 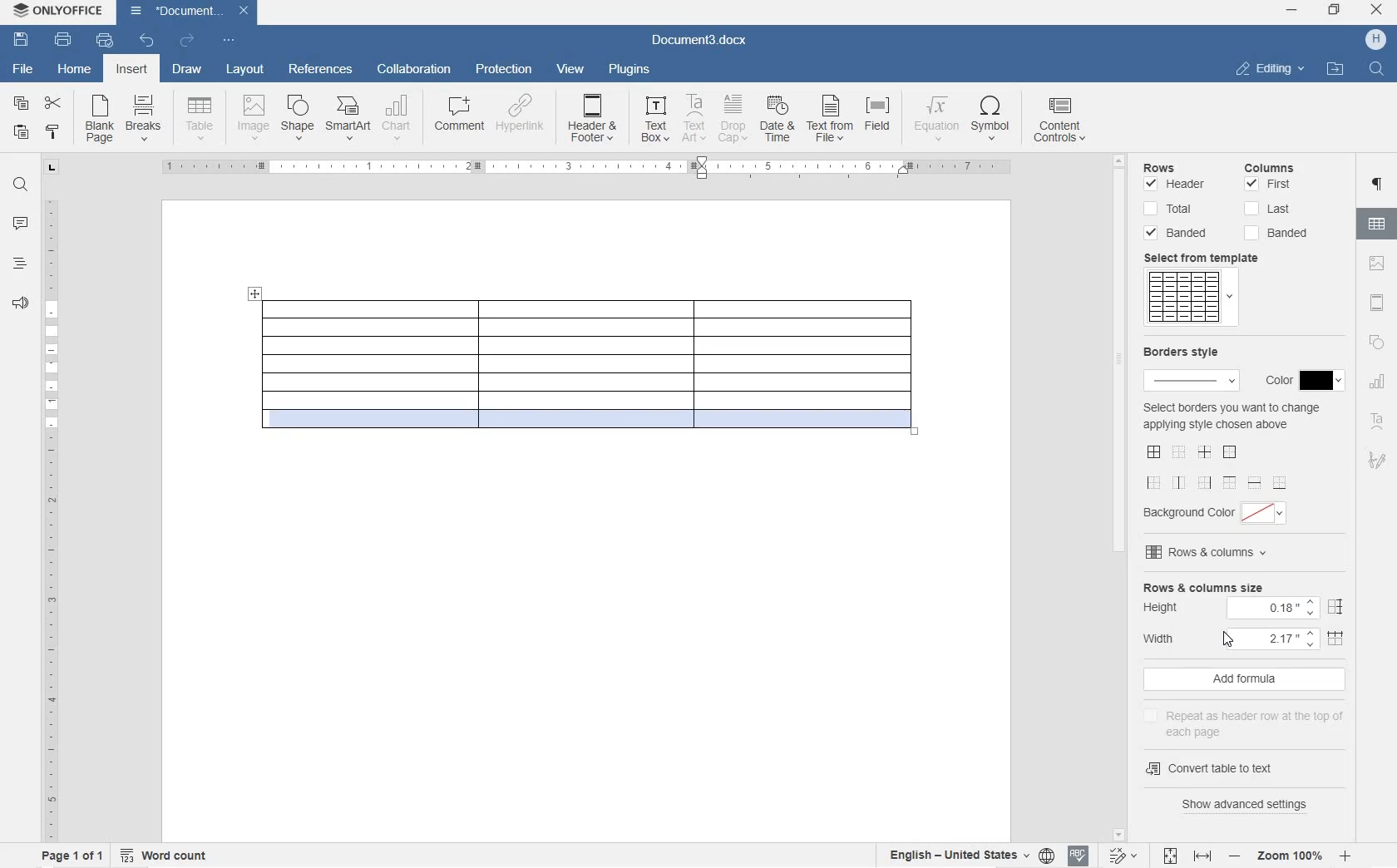 I want to click on CURSOR, so click(x=1229, y=638).